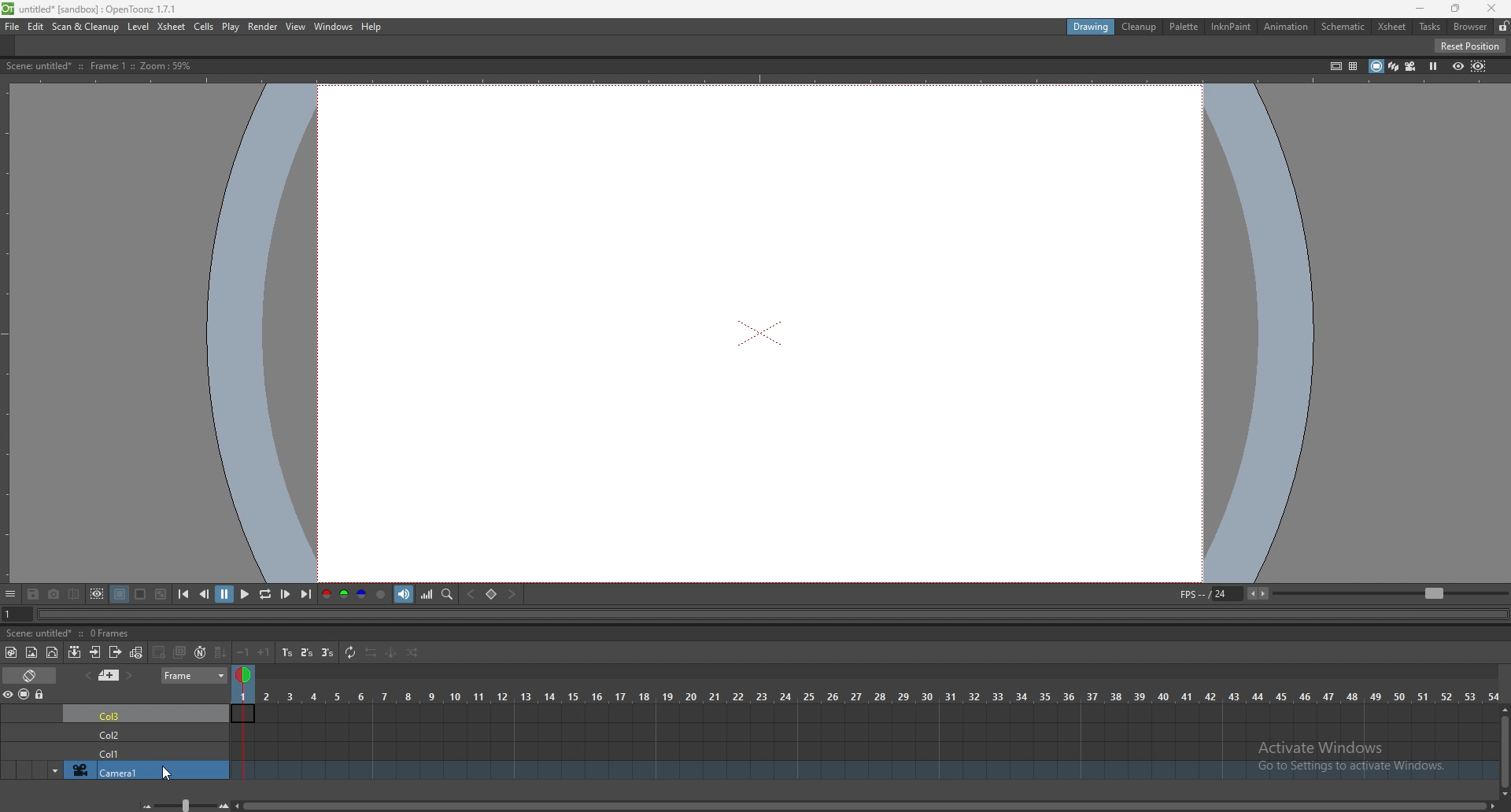 This screenshot has height=812, width=1511. Describe the element at coordinates (371, 653) in the screenshot. I see `reverse` at that location.